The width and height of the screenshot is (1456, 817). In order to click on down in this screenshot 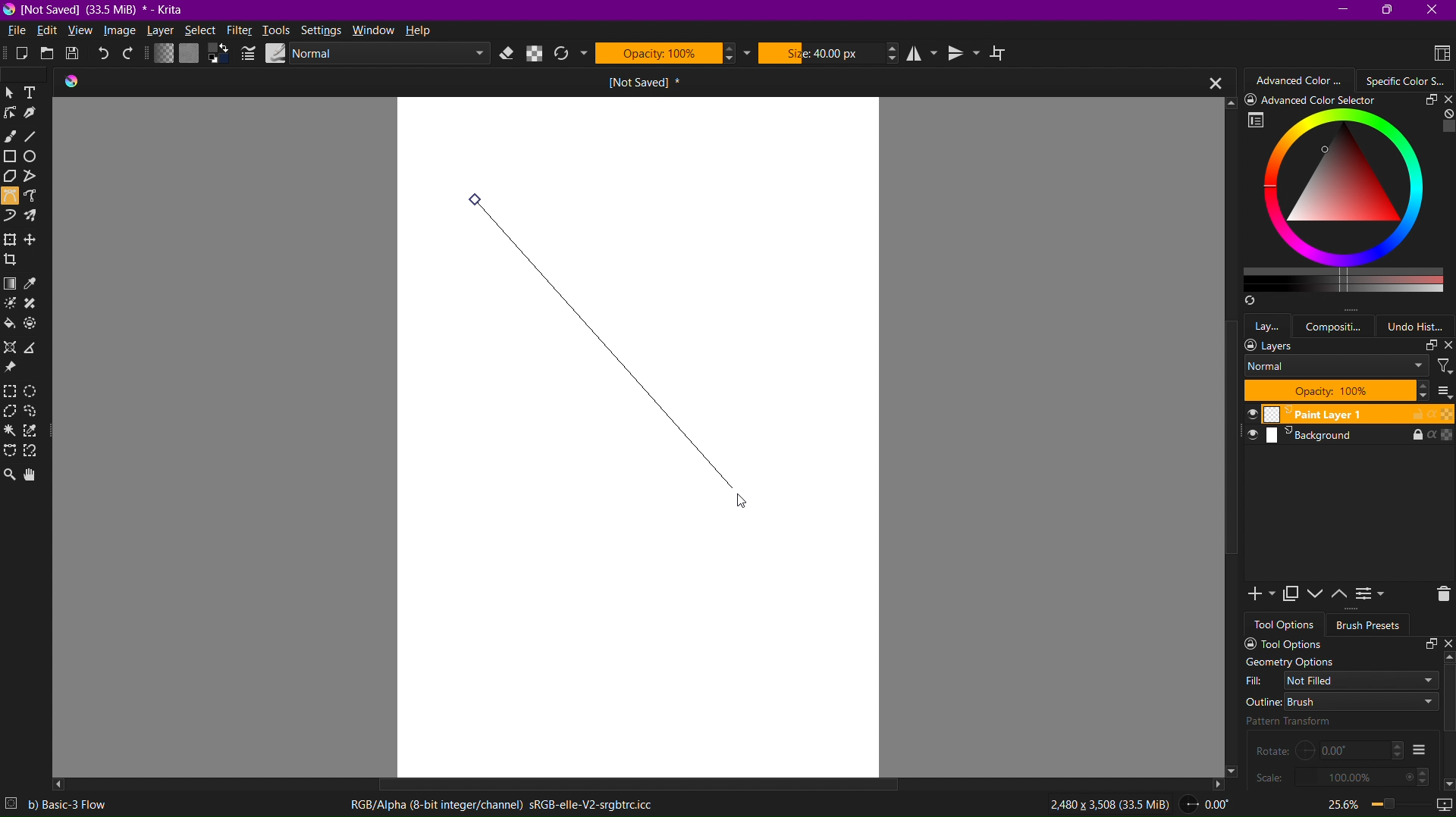, I will do `click(1447, 781)`.